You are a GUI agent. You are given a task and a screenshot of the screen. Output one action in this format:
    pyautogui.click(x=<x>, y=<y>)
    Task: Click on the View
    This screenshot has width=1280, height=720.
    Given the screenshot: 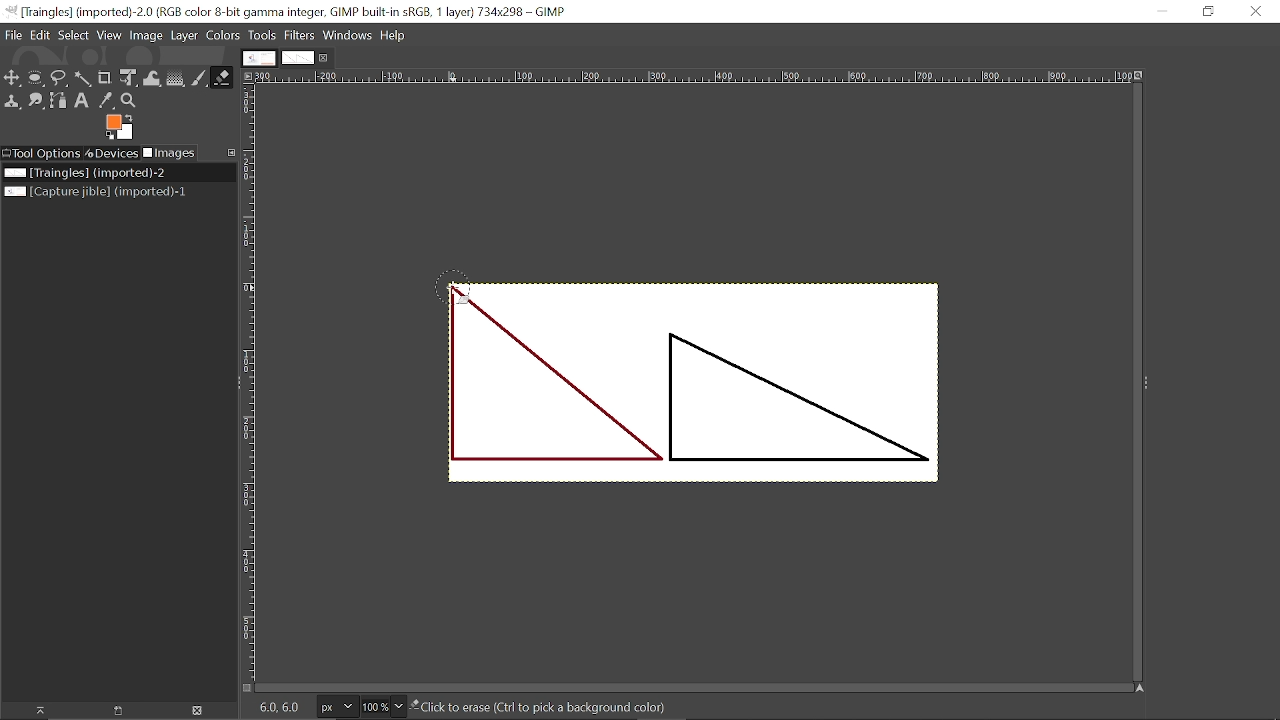 What is the action you would take?
    pyautogui.click(x=108, y=35)
    